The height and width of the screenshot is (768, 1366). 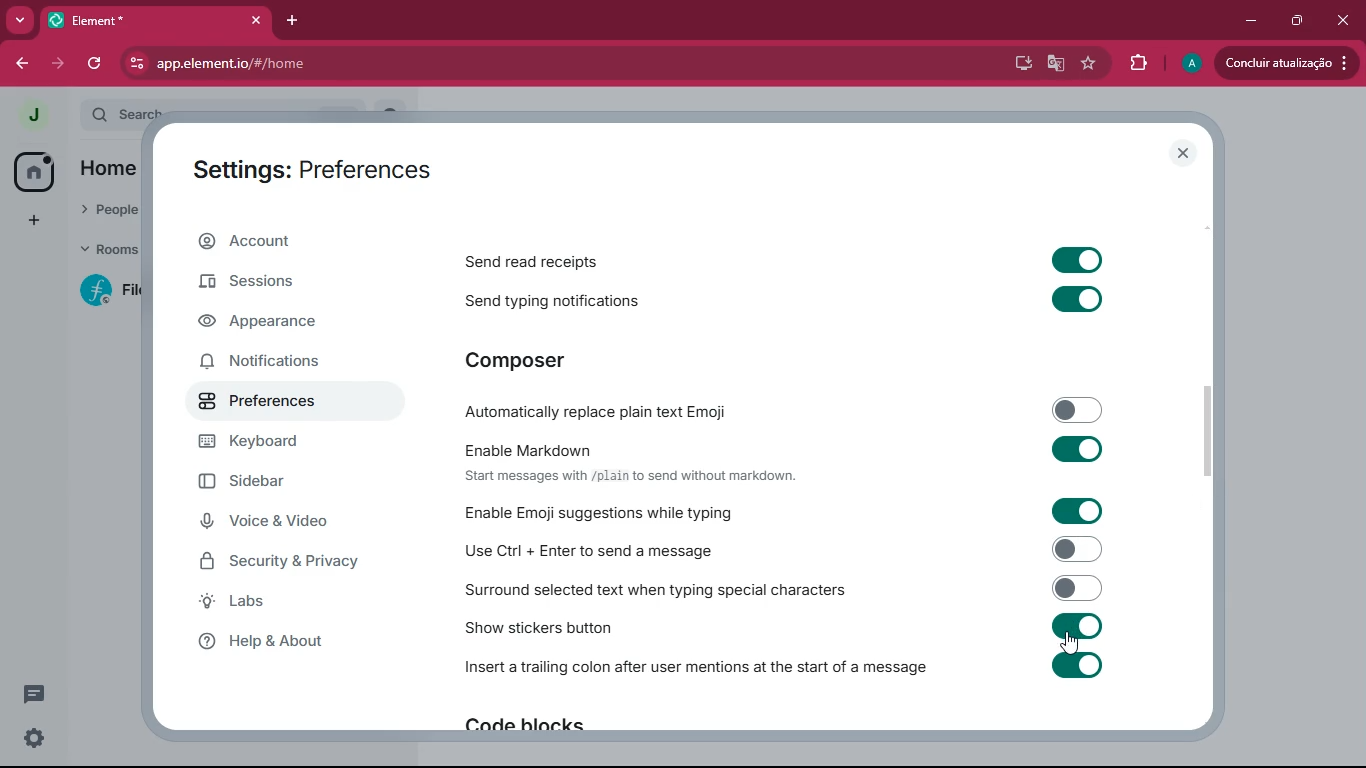 I want to click on ‘Start messages with /plain to send without markdown., so click(x=634, y=479).